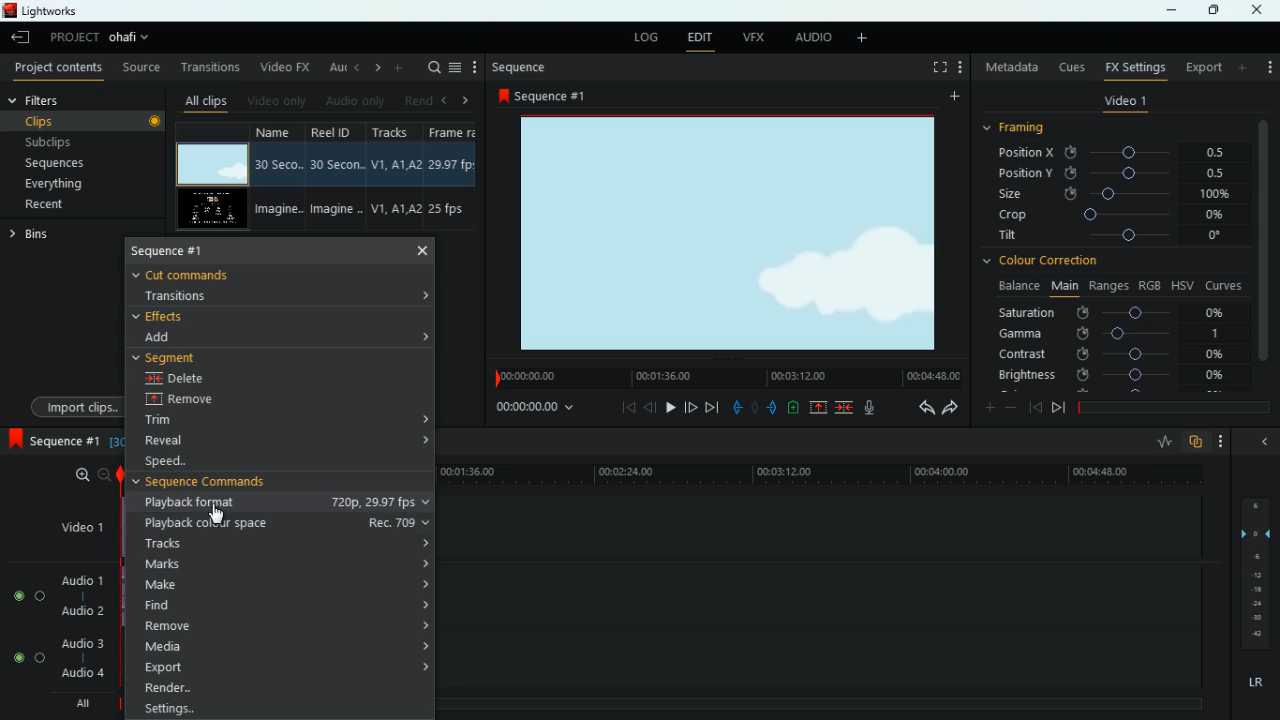  What do you see at coordinates (186, 460) in the screenshot?
I see `speed` at bounding box center [186, 460].